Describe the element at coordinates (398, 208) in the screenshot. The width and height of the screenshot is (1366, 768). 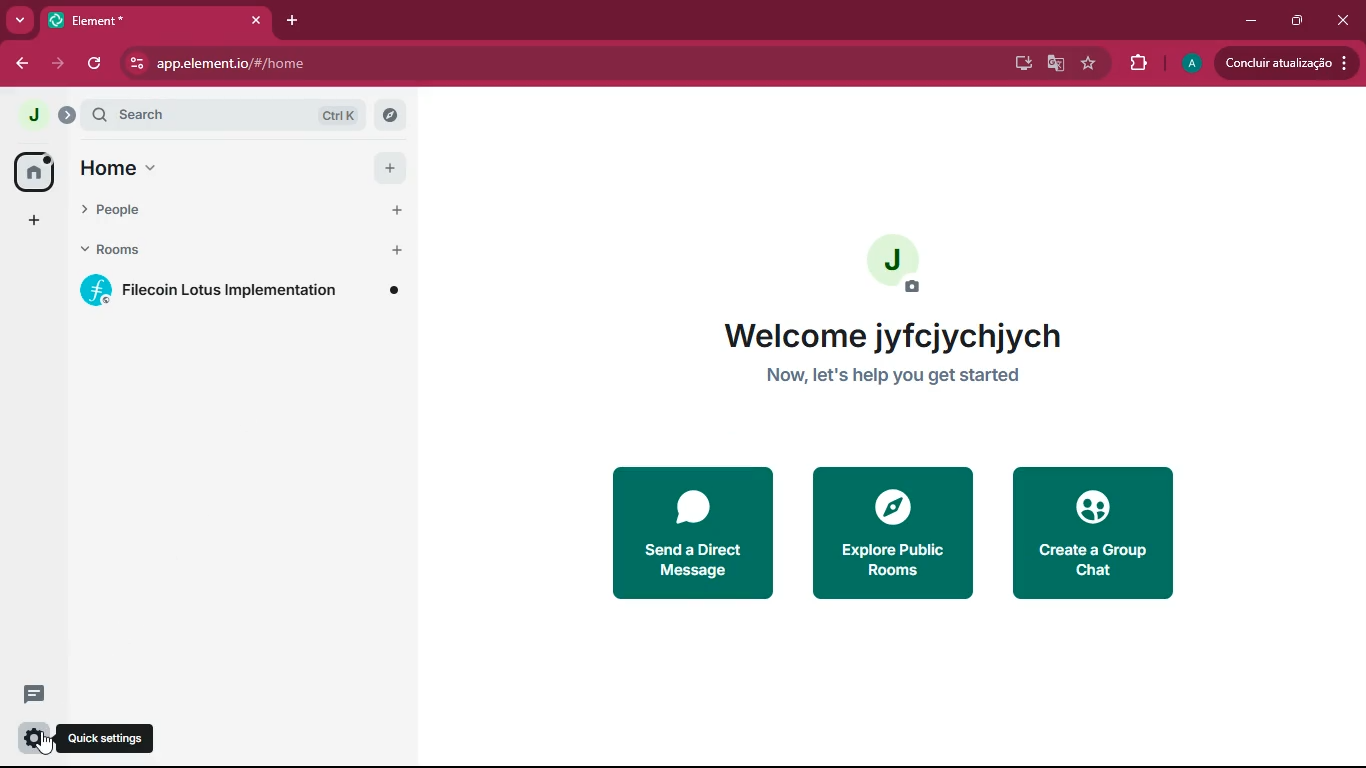
I see `add button` at that location.